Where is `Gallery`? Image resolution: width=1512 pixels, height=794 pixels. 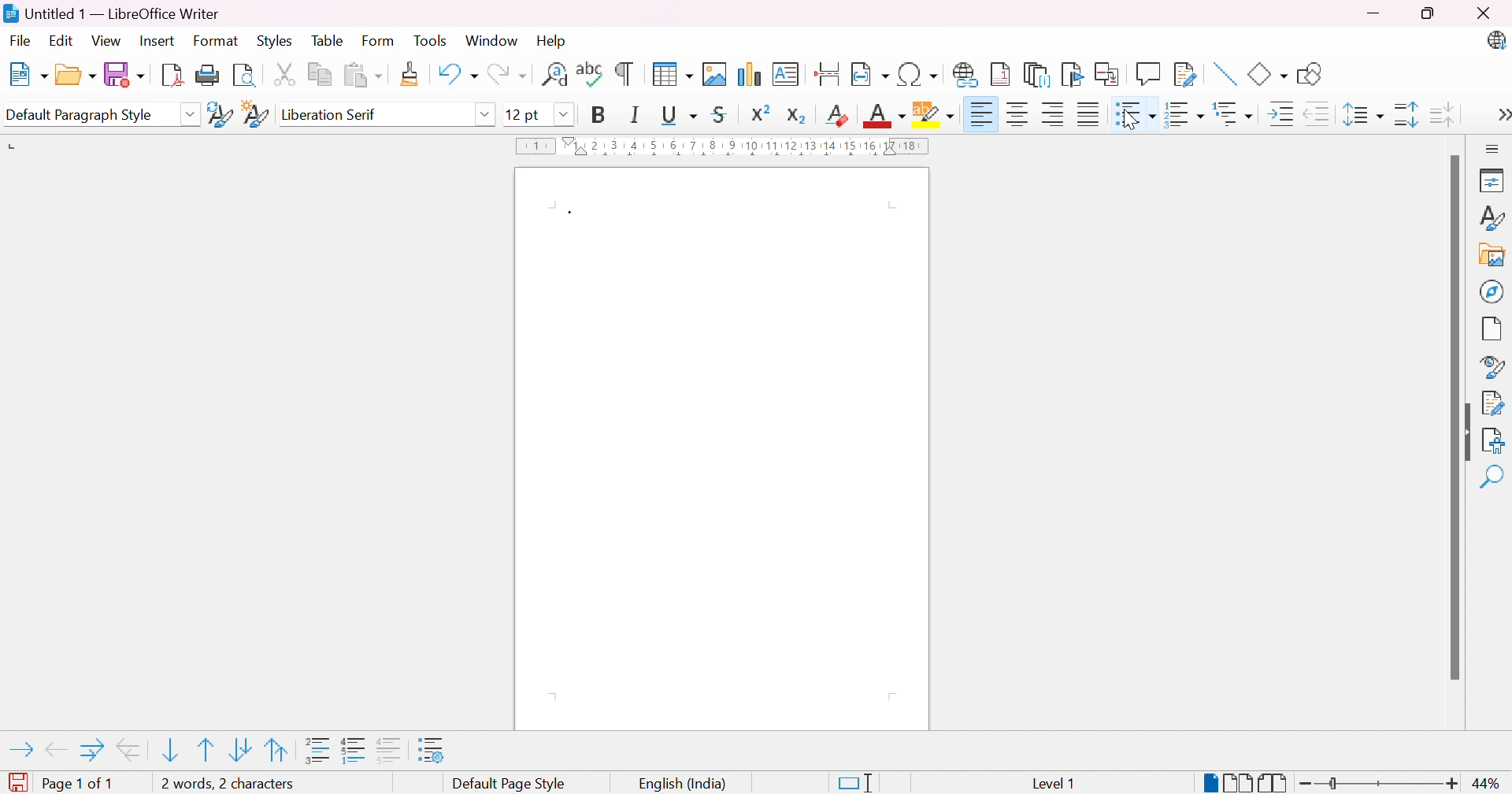 Gallery is located at coordinates (1492, 254).